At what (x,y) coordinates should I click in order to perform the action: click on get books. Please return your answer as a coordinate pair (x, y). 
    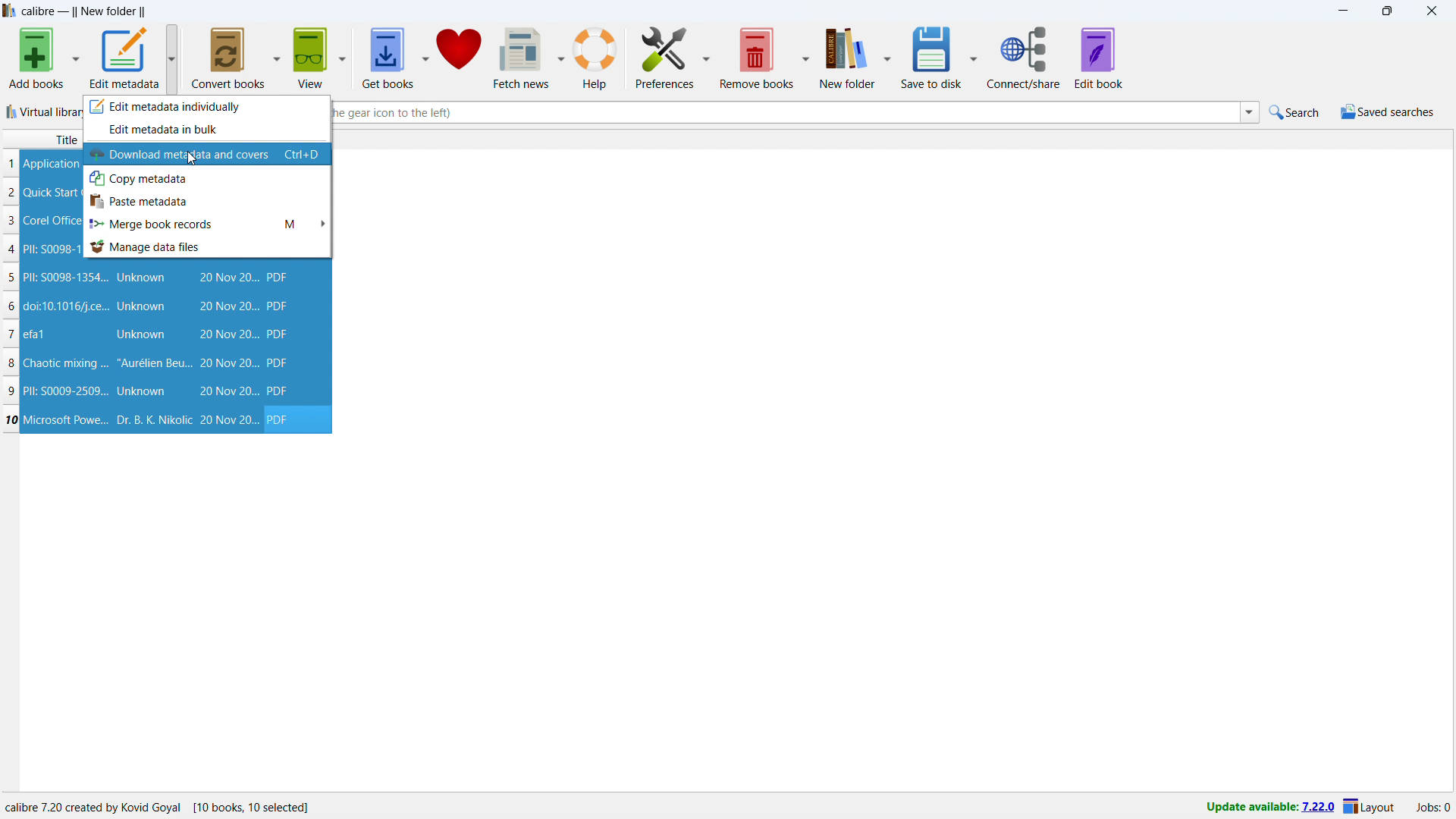
    Looking at the image, I should click on (388, 58).